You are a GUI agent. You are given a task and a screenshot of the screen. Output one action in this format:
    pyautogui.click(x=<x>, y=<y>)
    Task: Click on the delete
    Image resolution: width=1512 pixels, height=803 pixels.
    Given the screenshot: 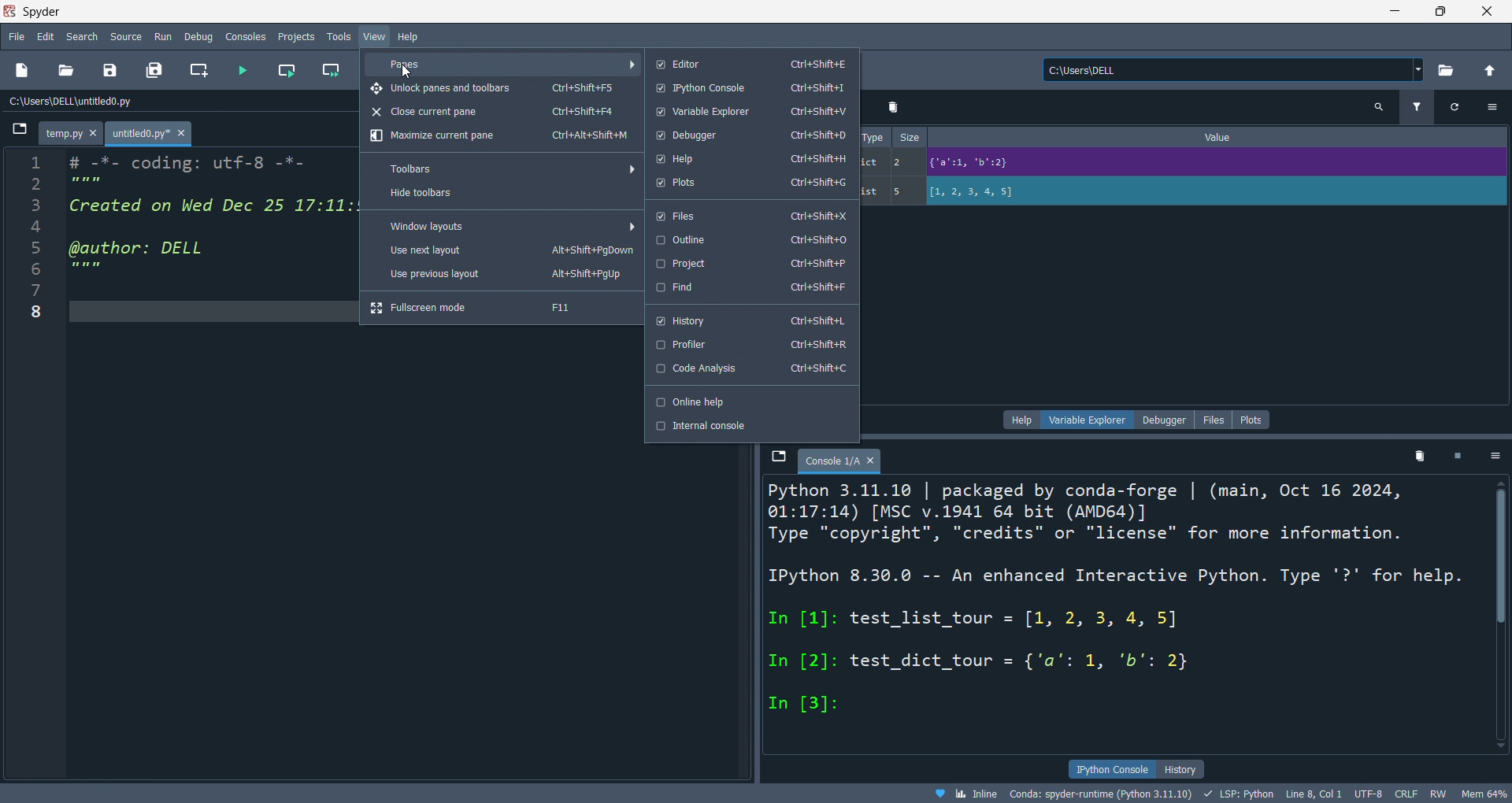 What is the action you would take?
    pyautogui.click(x=895, y=107)
    